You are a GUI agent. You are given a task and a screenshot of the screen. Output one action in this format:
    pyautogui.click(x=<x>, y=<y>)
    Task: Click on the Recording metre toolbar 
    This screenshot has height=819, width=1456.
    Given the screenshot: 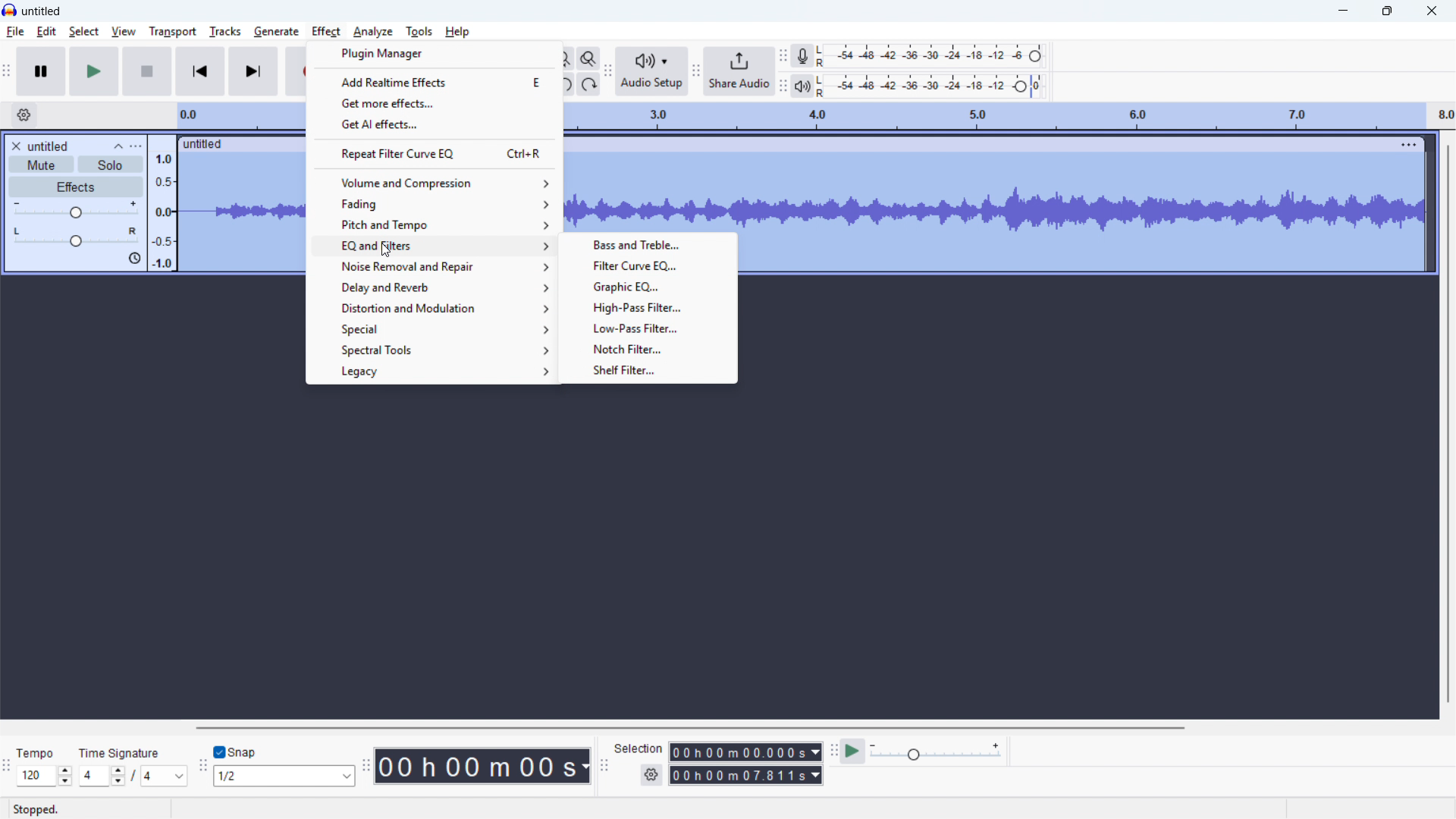 What is the action you would take?
    pyautogui.click(x=783, y=55)
    